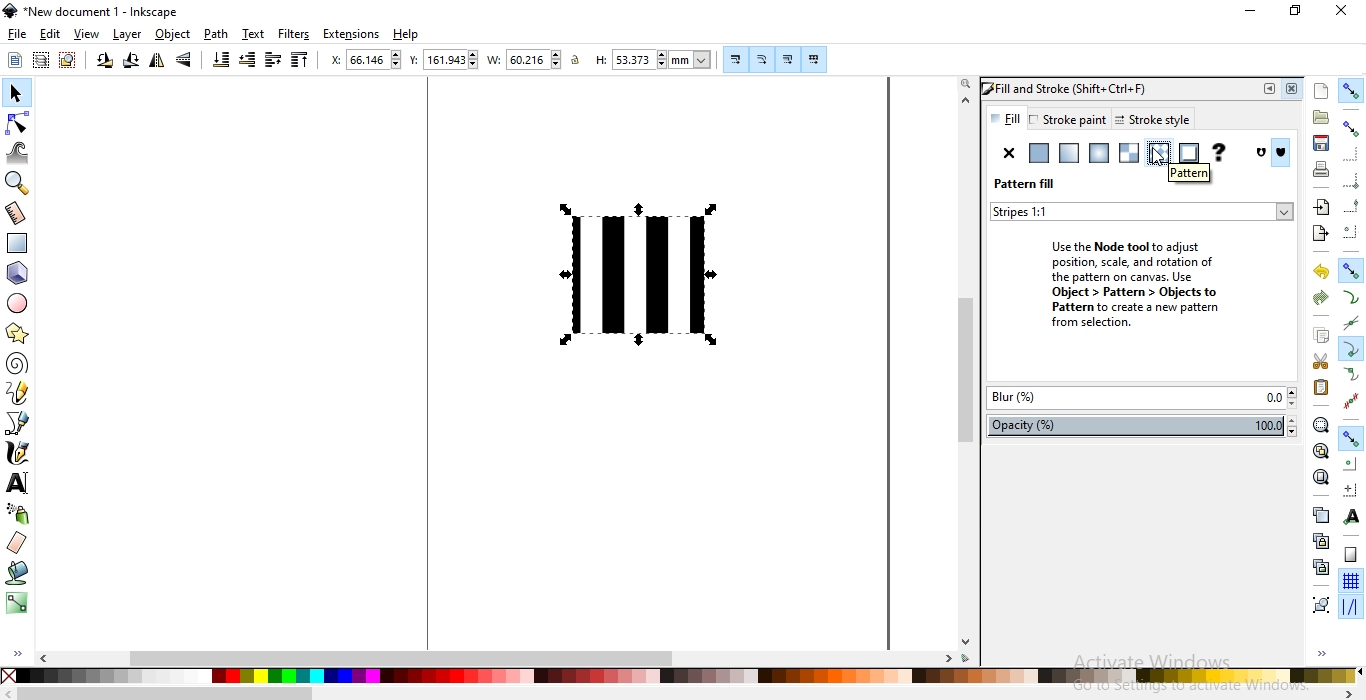 The height and width of the screenshot is (700, 1366). What do you see at coordinates (761, 59) in the screenshot?
I see `scale radii of rounded corners` at bounding box center [761, 59].